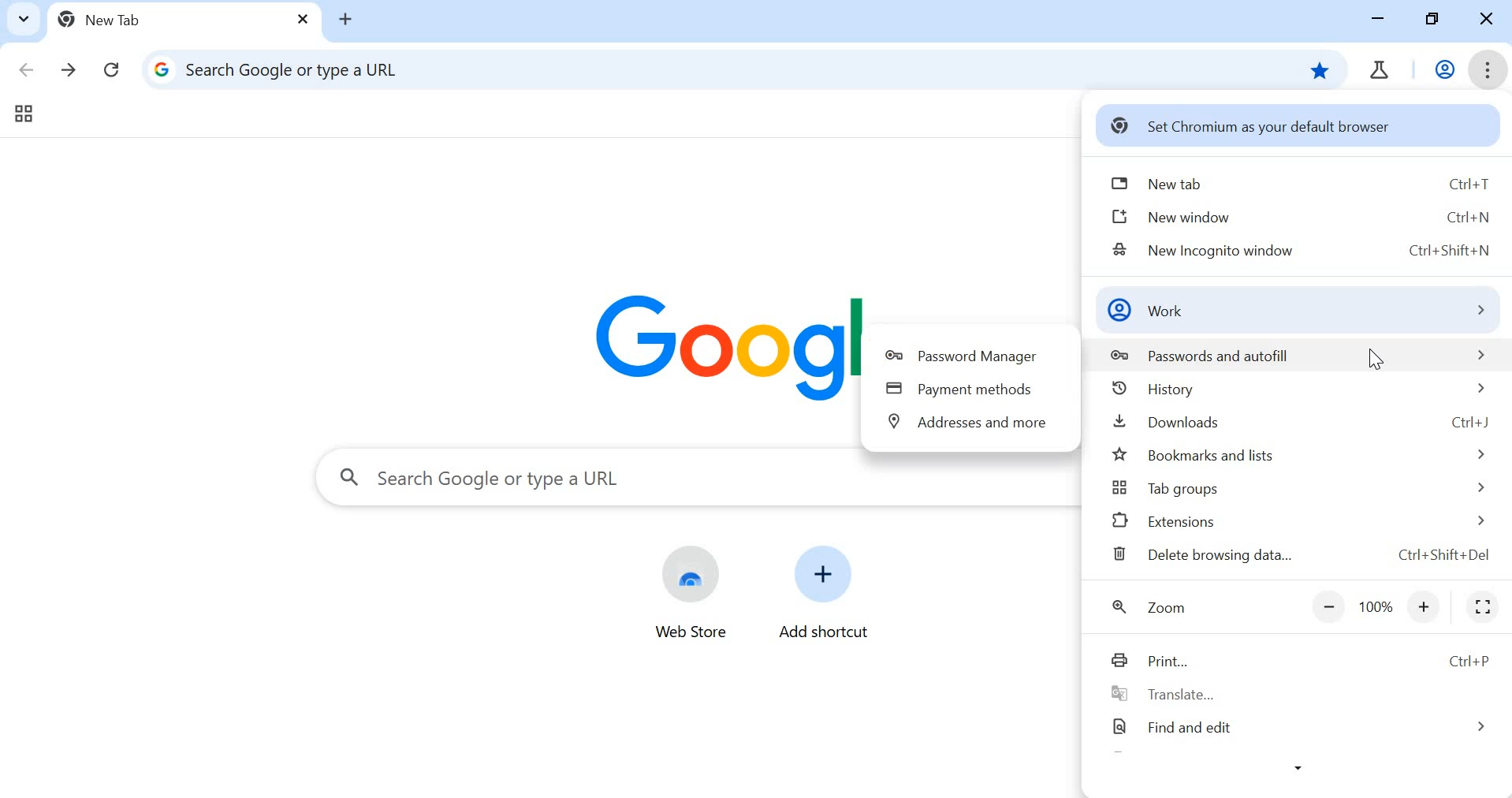 This screenshot has width=1512, height=798. What do you see at coordinates (1299, 422) in the screenshot?
I see `downloads` at bounding box center [1299, 422].